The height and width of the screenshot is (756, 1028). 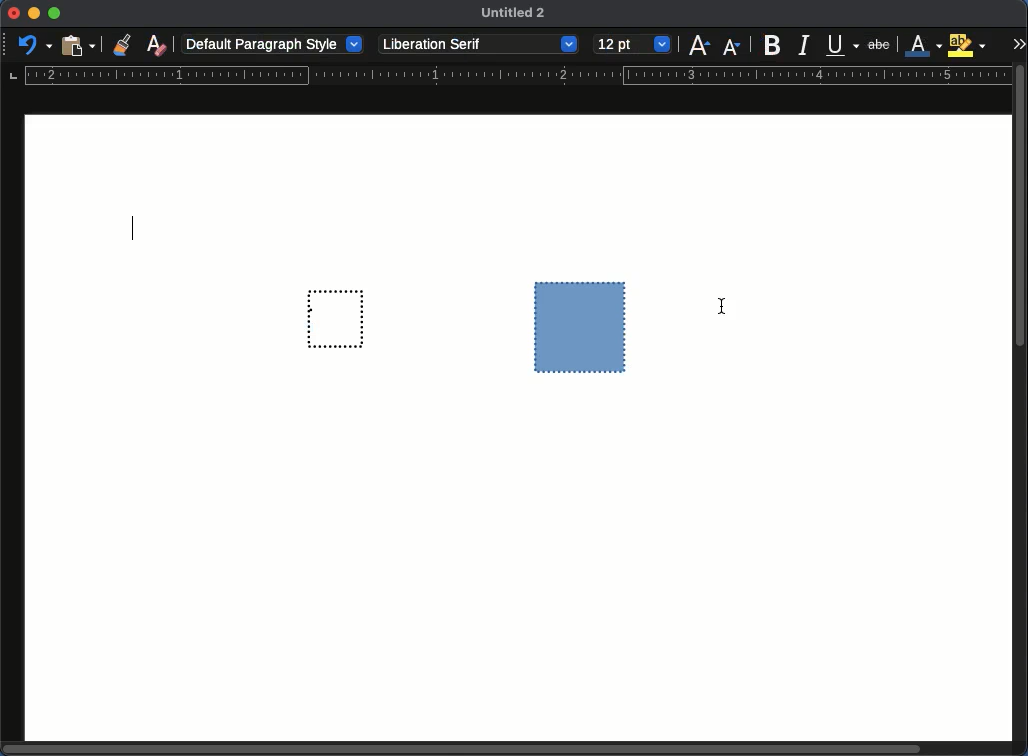 What do you see at coordinates (967, 44) in the screenshot?
I see `highlight color` at bounding box center [967, 44].